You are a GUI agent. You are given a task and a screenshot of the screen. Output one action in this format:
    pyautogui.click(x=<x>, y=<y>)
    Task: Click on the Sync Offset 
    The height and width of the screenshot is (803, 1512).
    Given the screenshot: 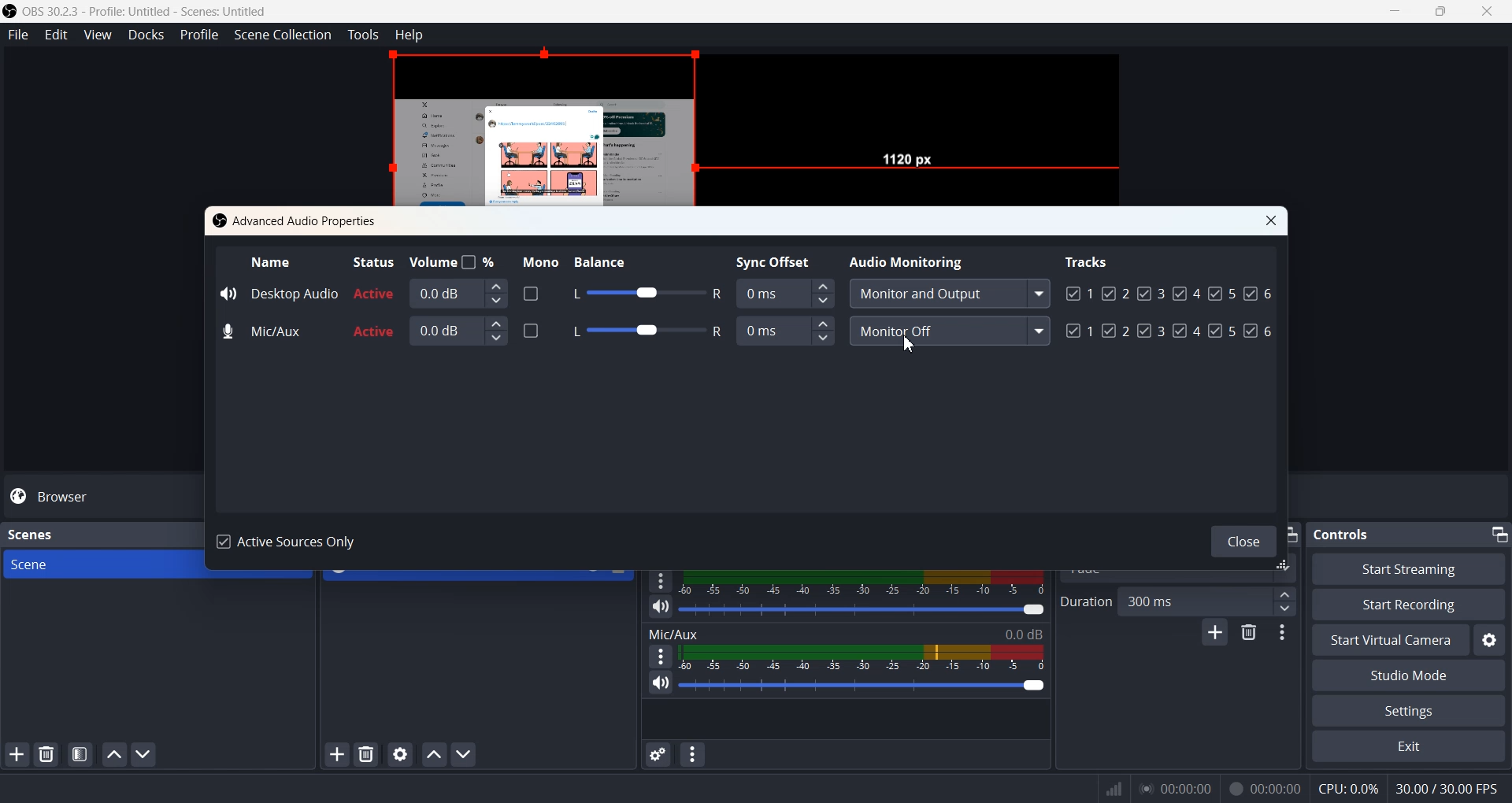 What is the action you would take?
    pyautogui.click(x=784, y=292)
    